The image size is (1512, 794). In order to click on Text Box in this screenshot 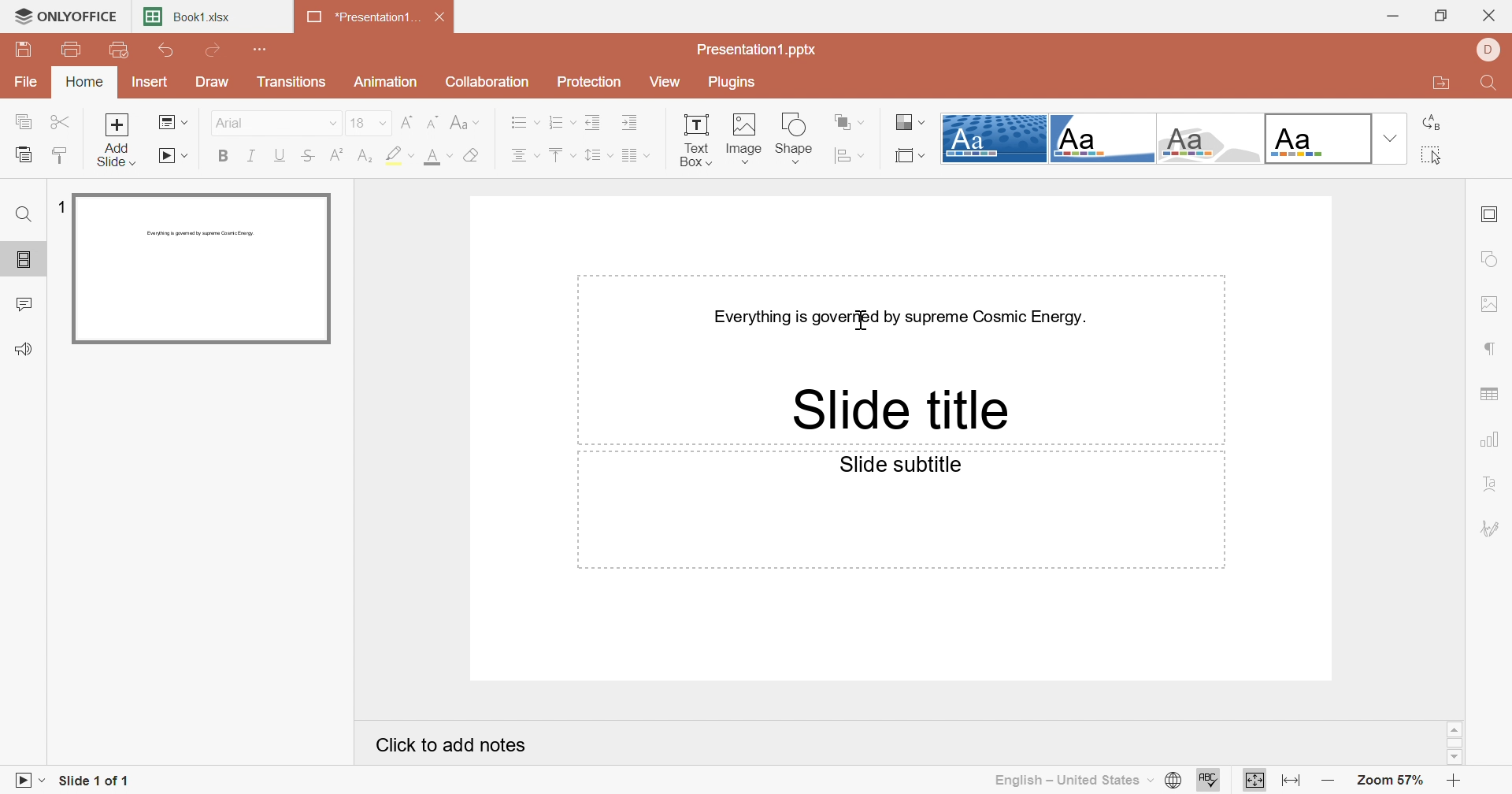, I will do `click(695, 139)`.